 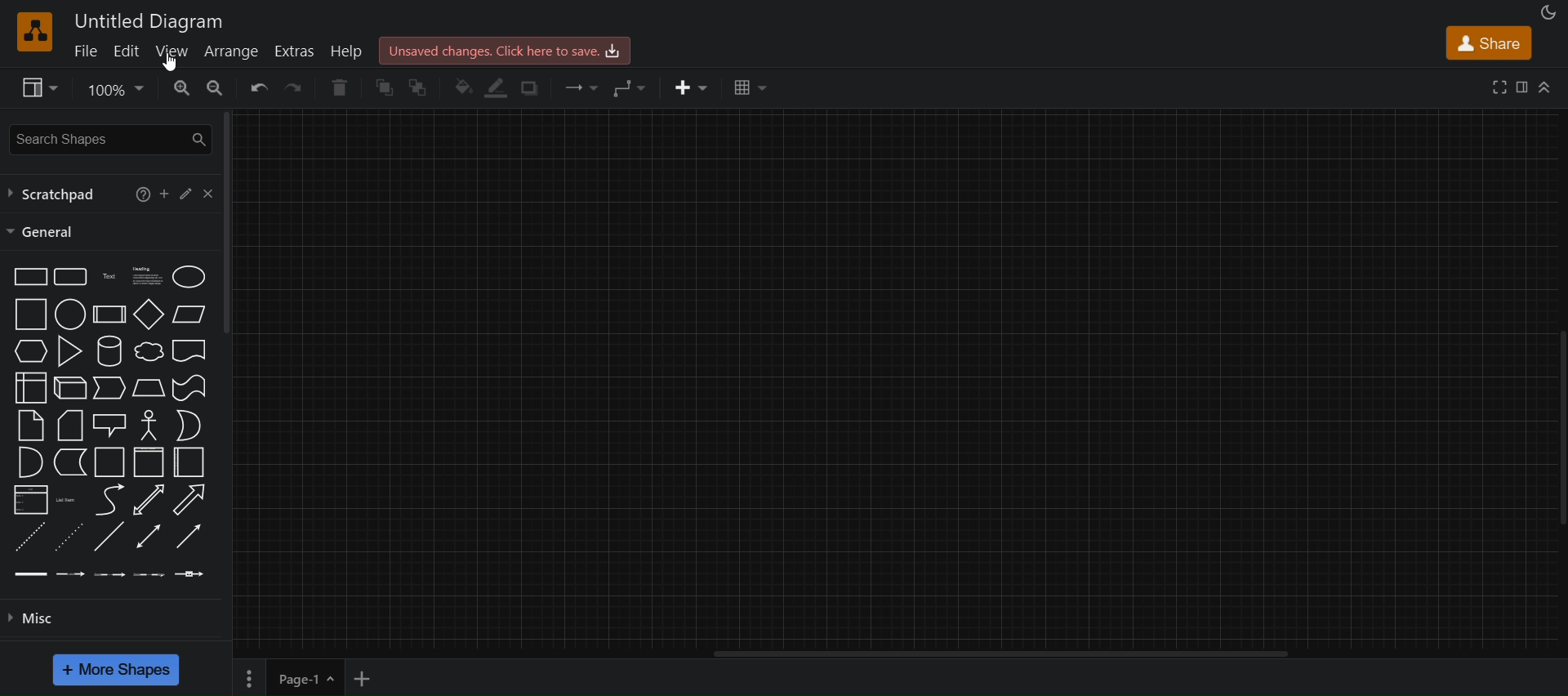 I want to click on vertical scroll bar, so click(x=228, y=221).